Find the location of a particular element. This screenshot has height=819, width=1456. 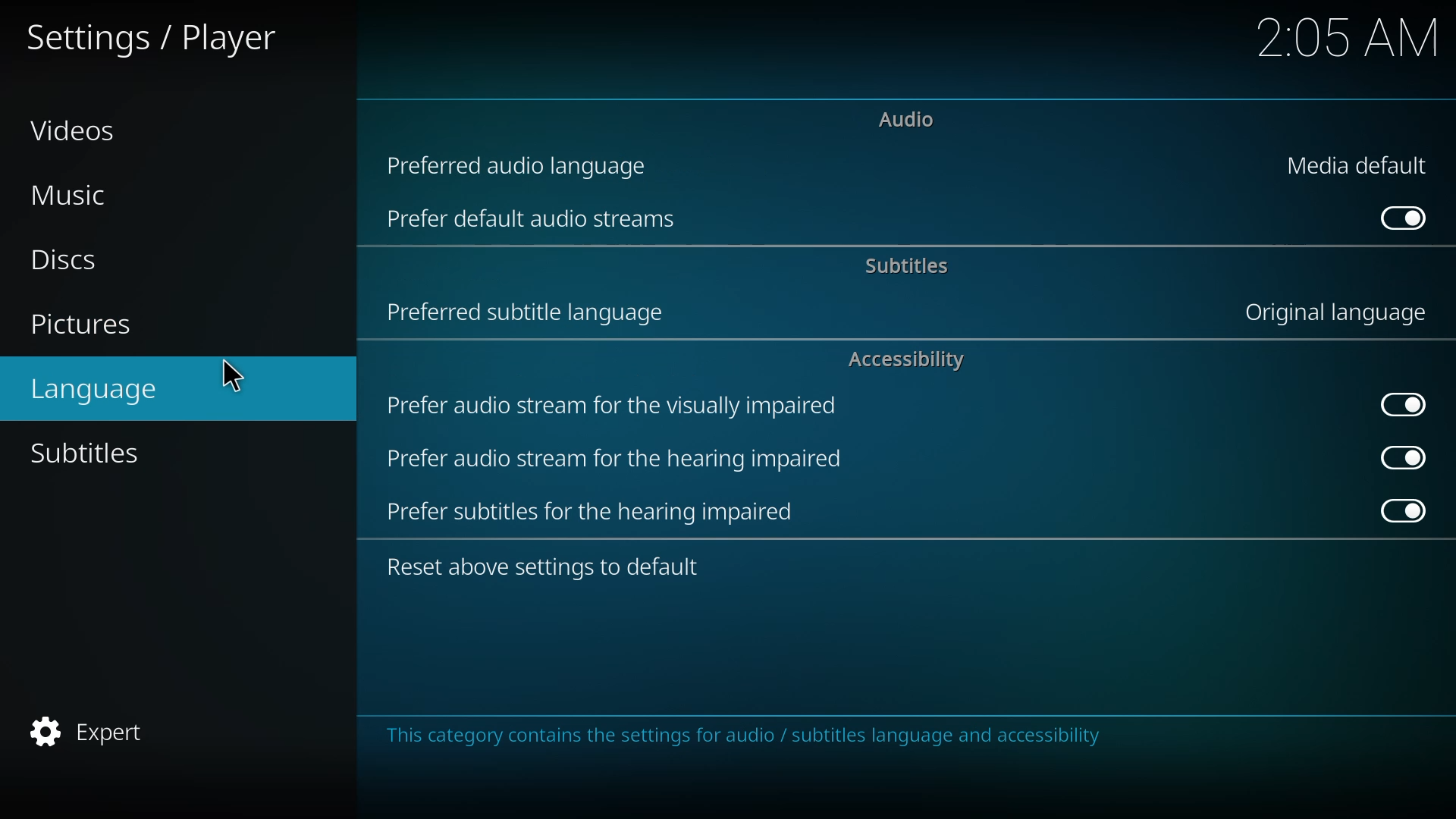

original language is located at coordinates (1333, 314).